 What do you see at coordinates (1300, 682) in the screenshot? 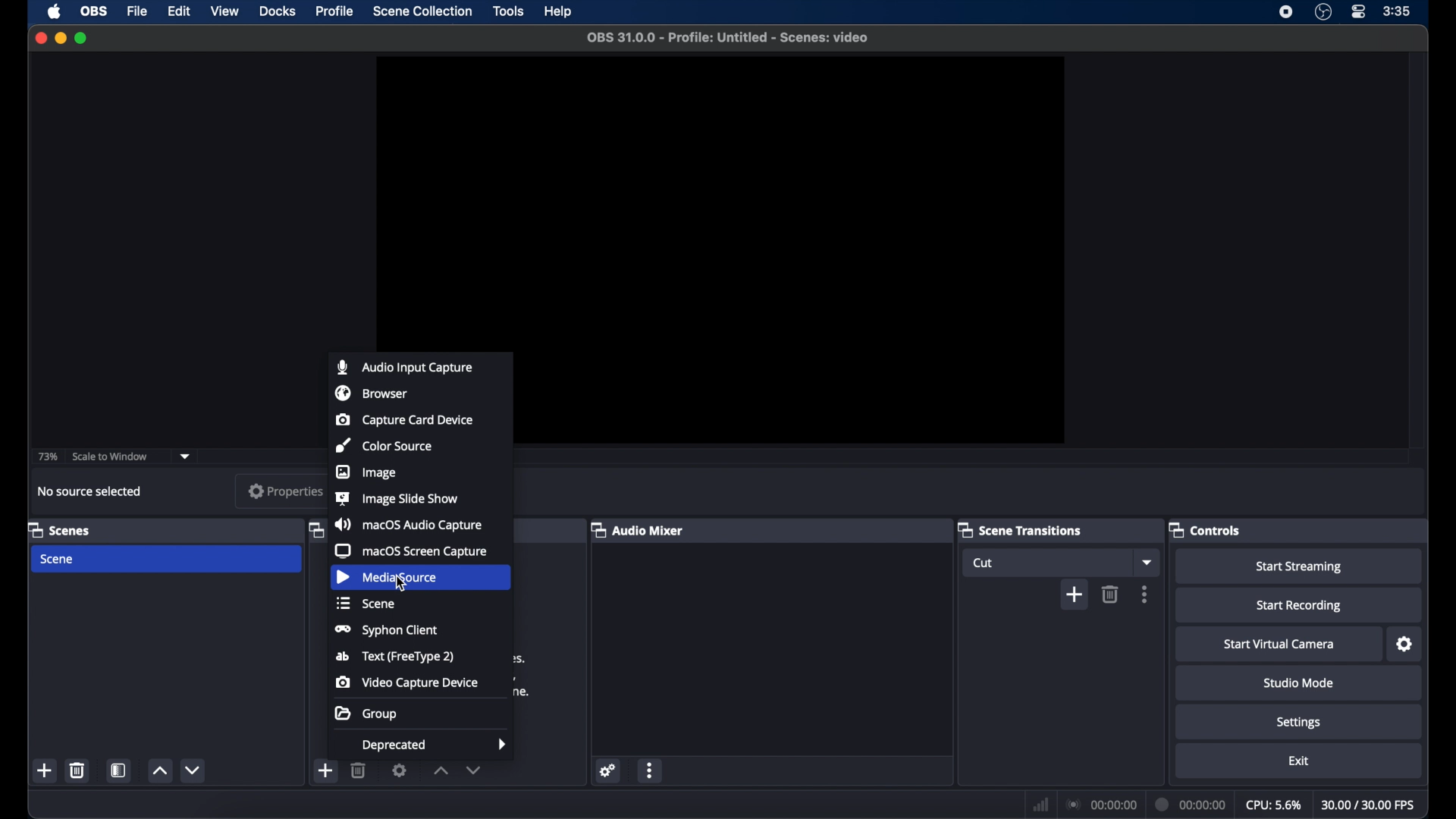
I see `studio mode` at bounding box center [1300, 682].